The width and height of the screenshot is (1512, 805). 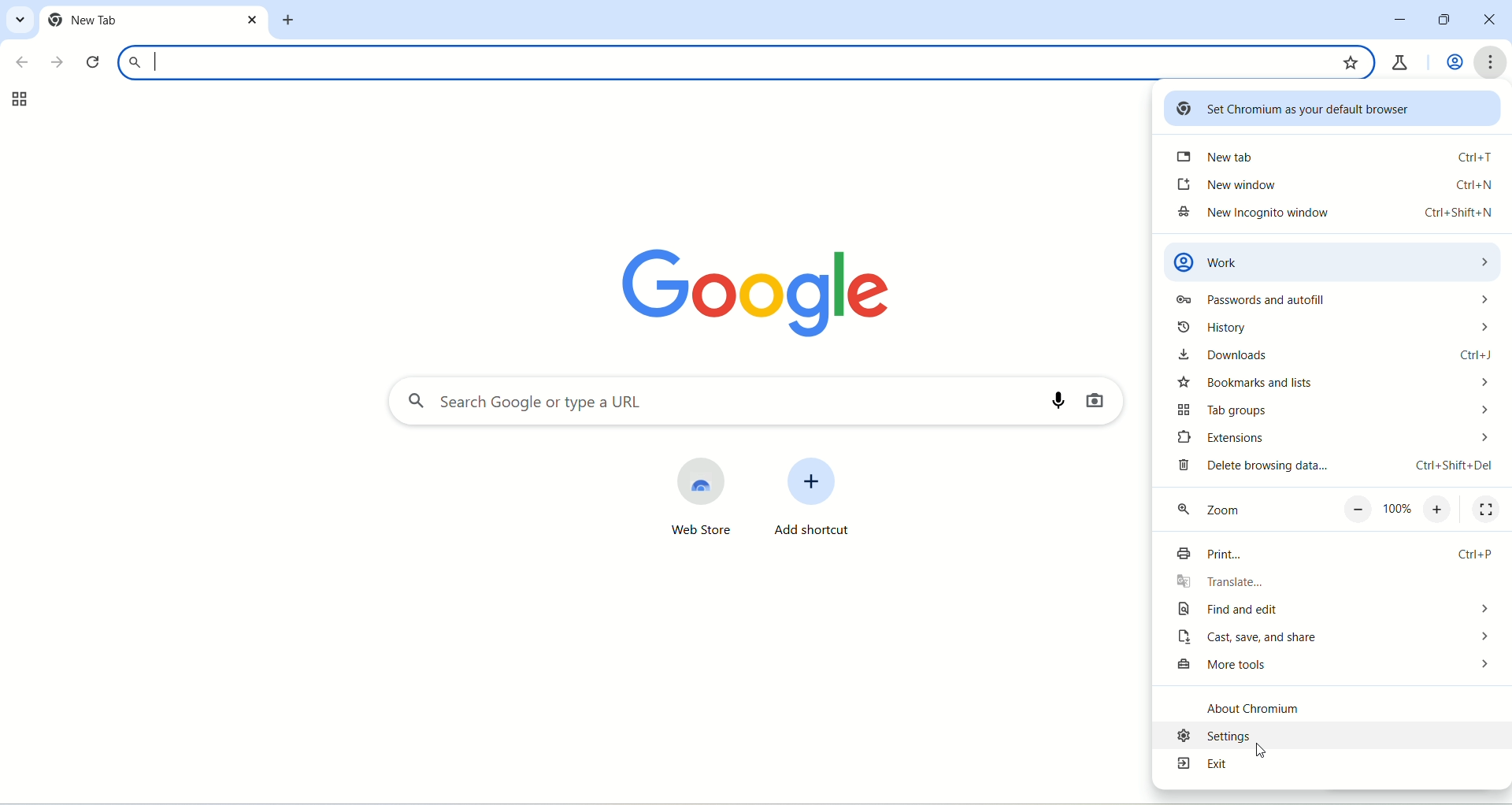 What do you see at coordinates (20, 64) in the screenshot?
I see `go back` at bounding box center [20, 64].